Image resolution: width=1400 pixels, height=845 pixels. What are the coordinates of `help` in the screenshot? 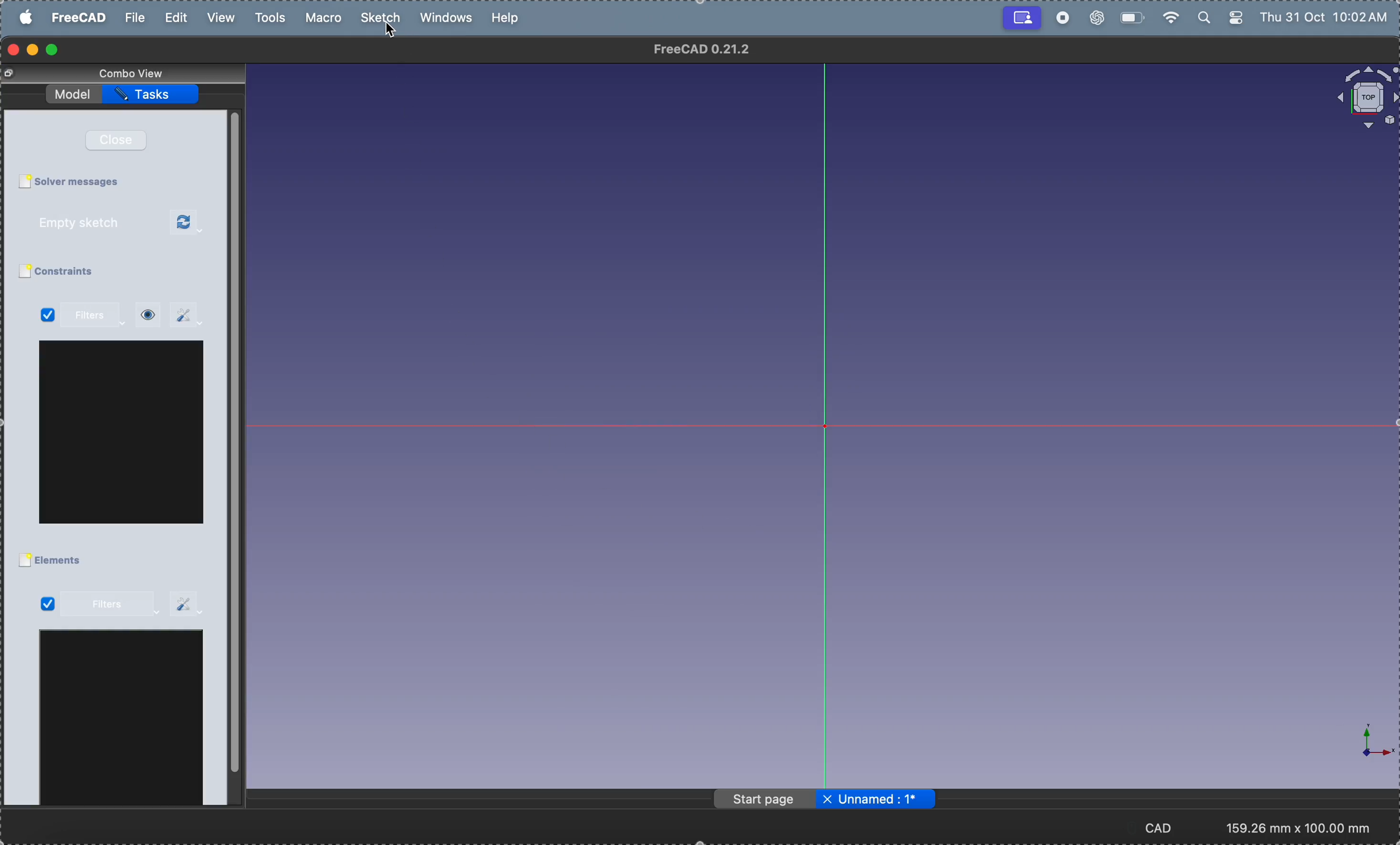 It's located at (507, 17).